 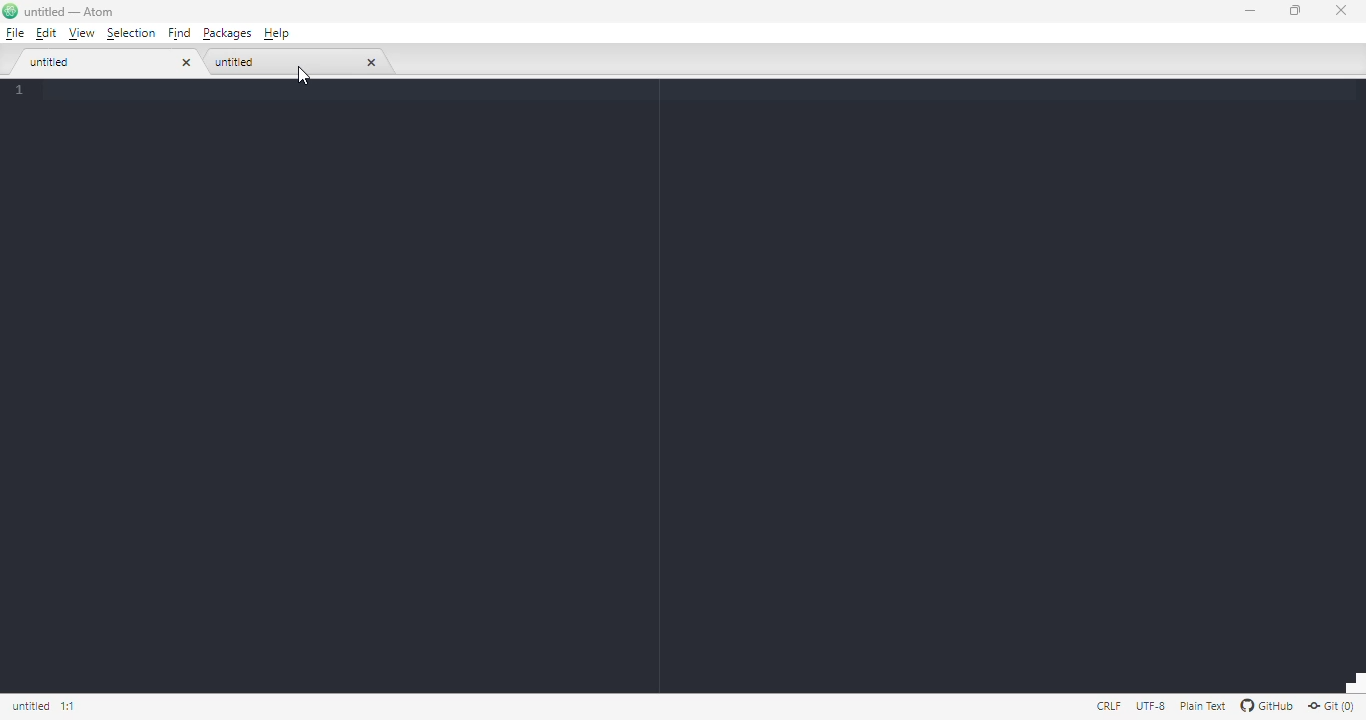 What do you see at coordinates (68, 89) in the screenshot?
I see `1` at bounding box center [68, 89].